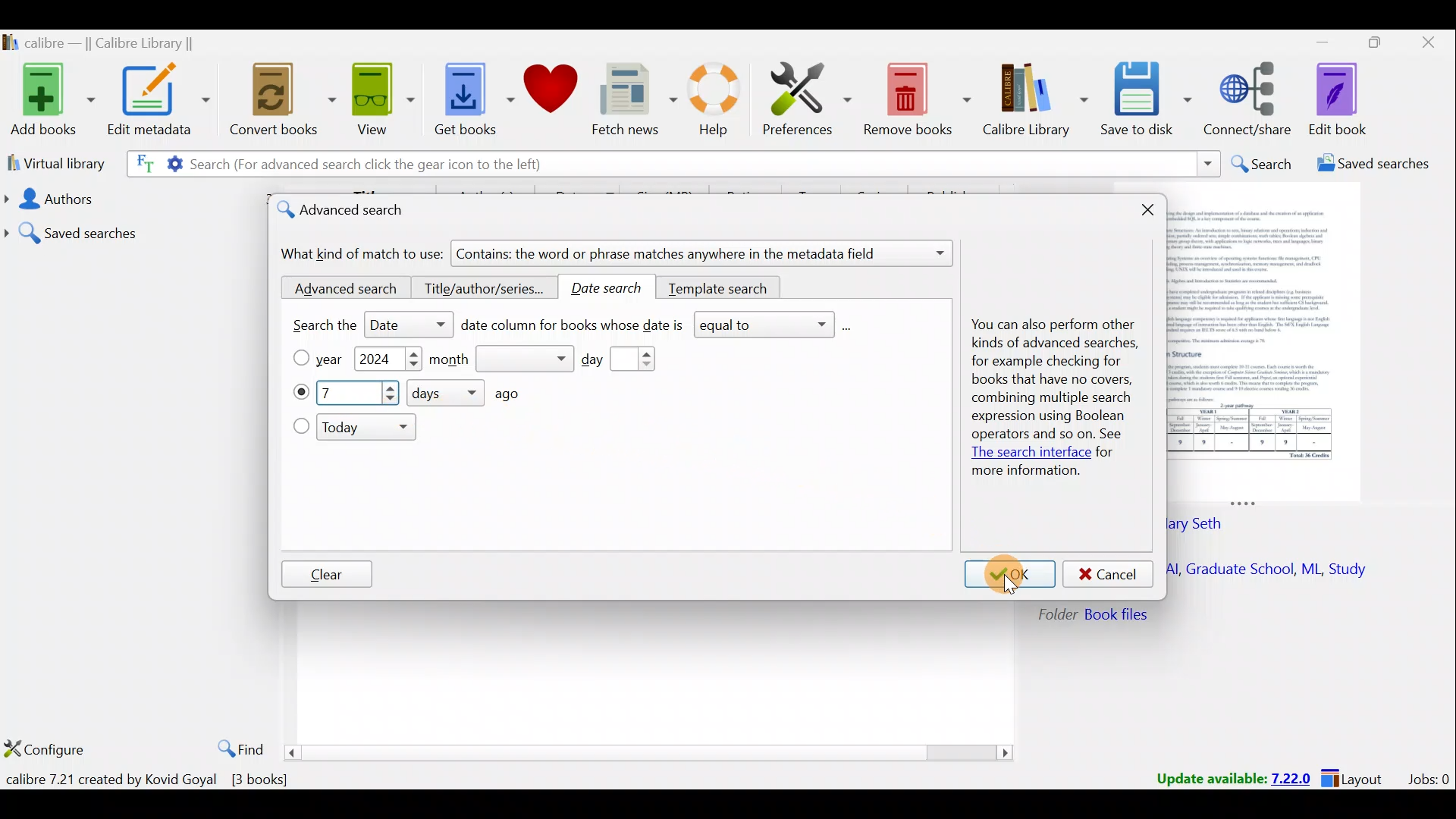 Image resolution: width=1456 pixels, height=819 pixels. What do you see at coordinates (390, 388) in the screenshot?
I see `Increase` at bounding box center [390, 388].